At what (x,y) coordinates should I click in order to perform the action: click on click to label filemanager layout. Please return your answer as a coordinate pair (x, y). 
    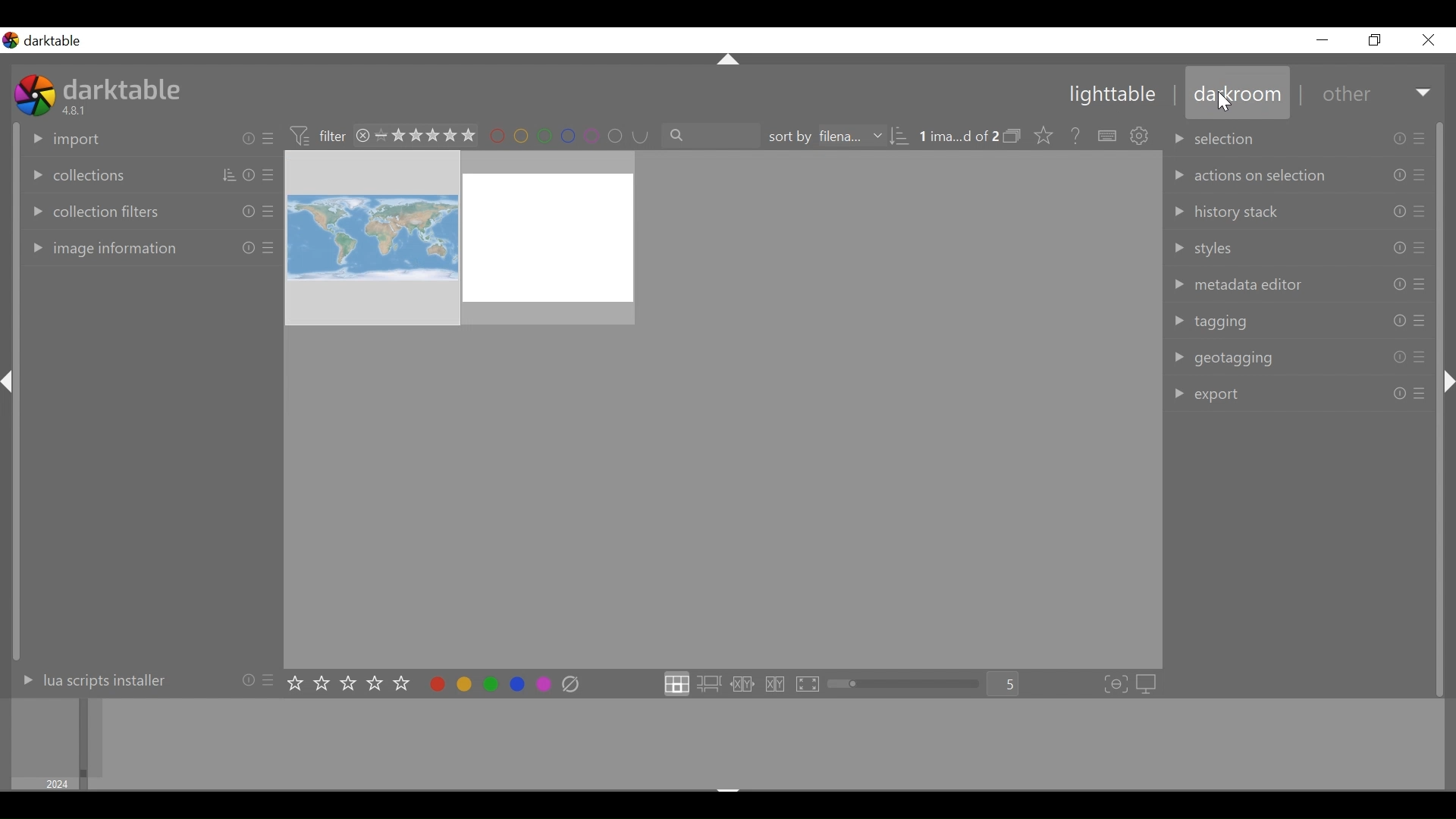
    Looking at the image, I should click on (676, 685).